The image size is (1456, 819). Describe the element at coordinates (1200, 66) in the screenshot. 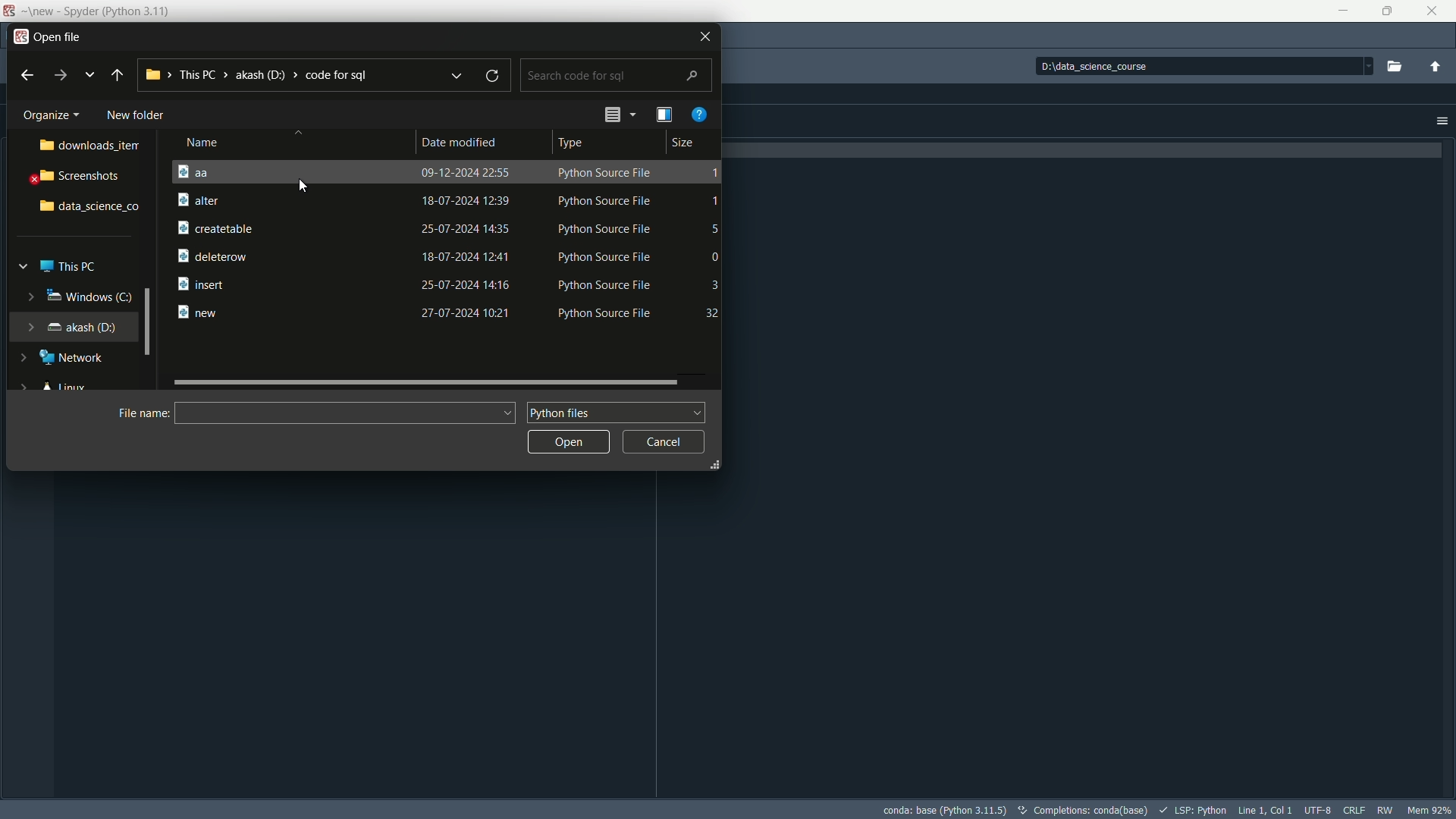

I see `directory` at that location.